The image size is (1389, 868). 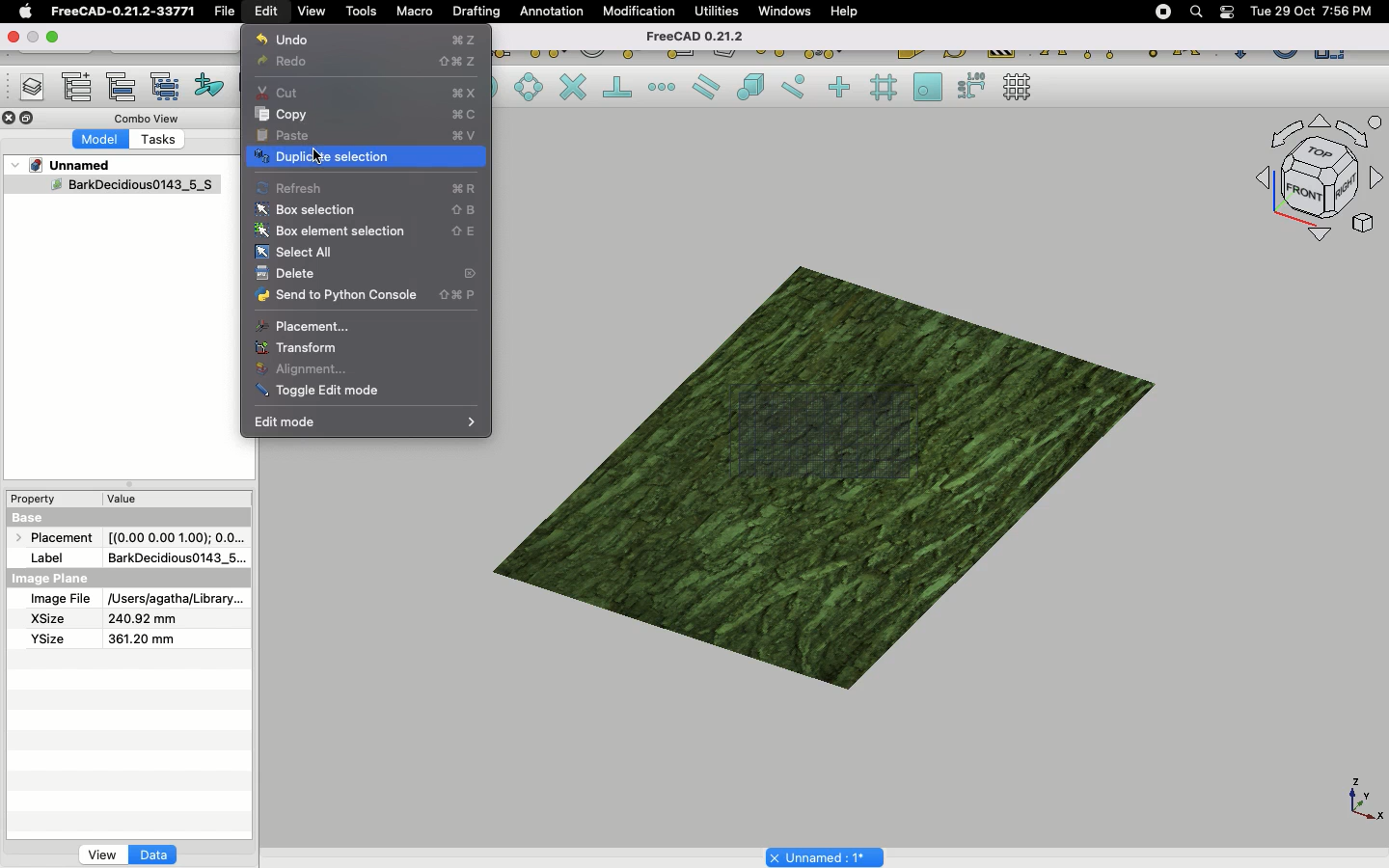 I want to click on Send to python console, so click(x=369, y=298).